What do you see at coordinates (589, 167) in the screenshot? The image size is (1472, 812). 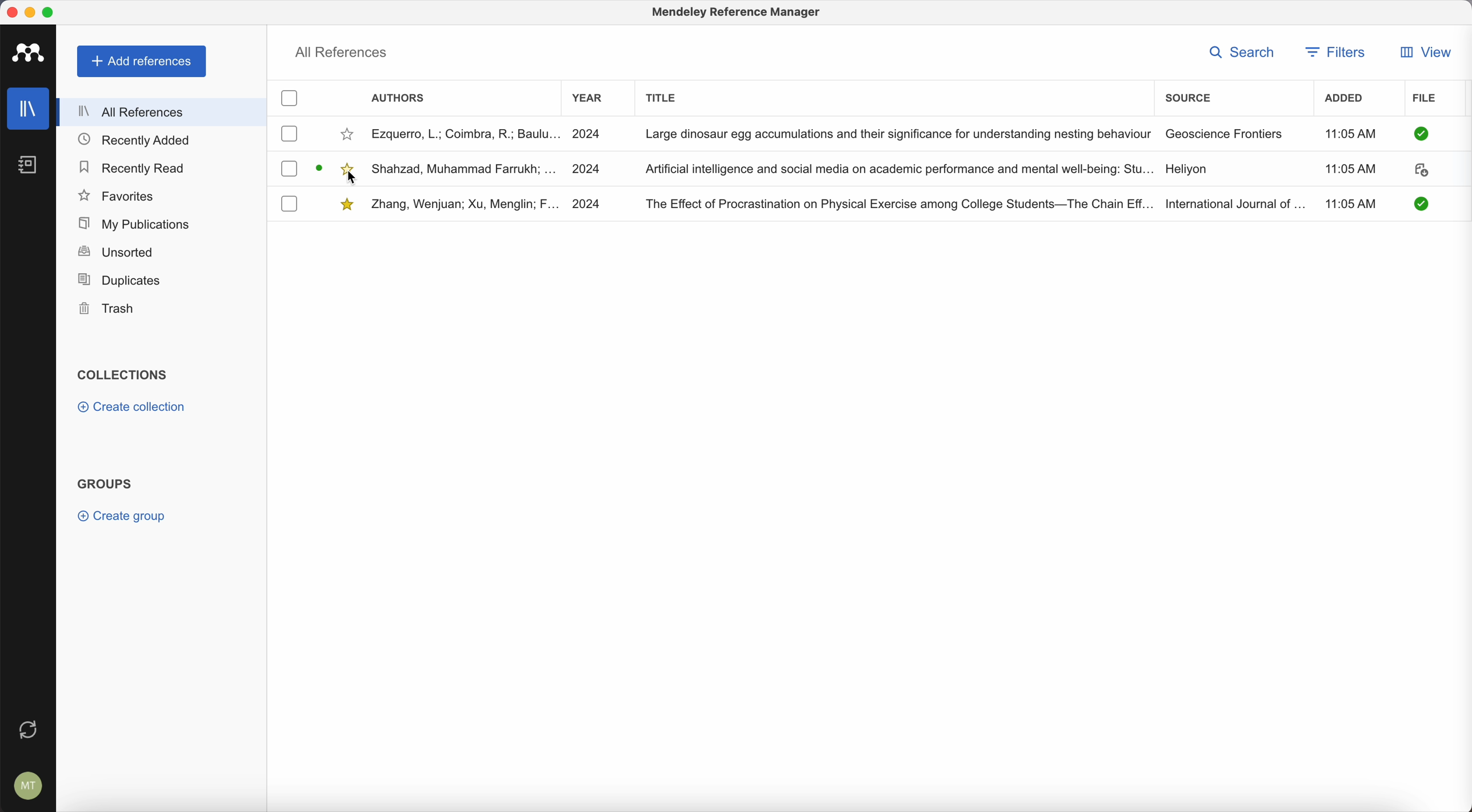 I see `2024` at bounding box center [589, 167].